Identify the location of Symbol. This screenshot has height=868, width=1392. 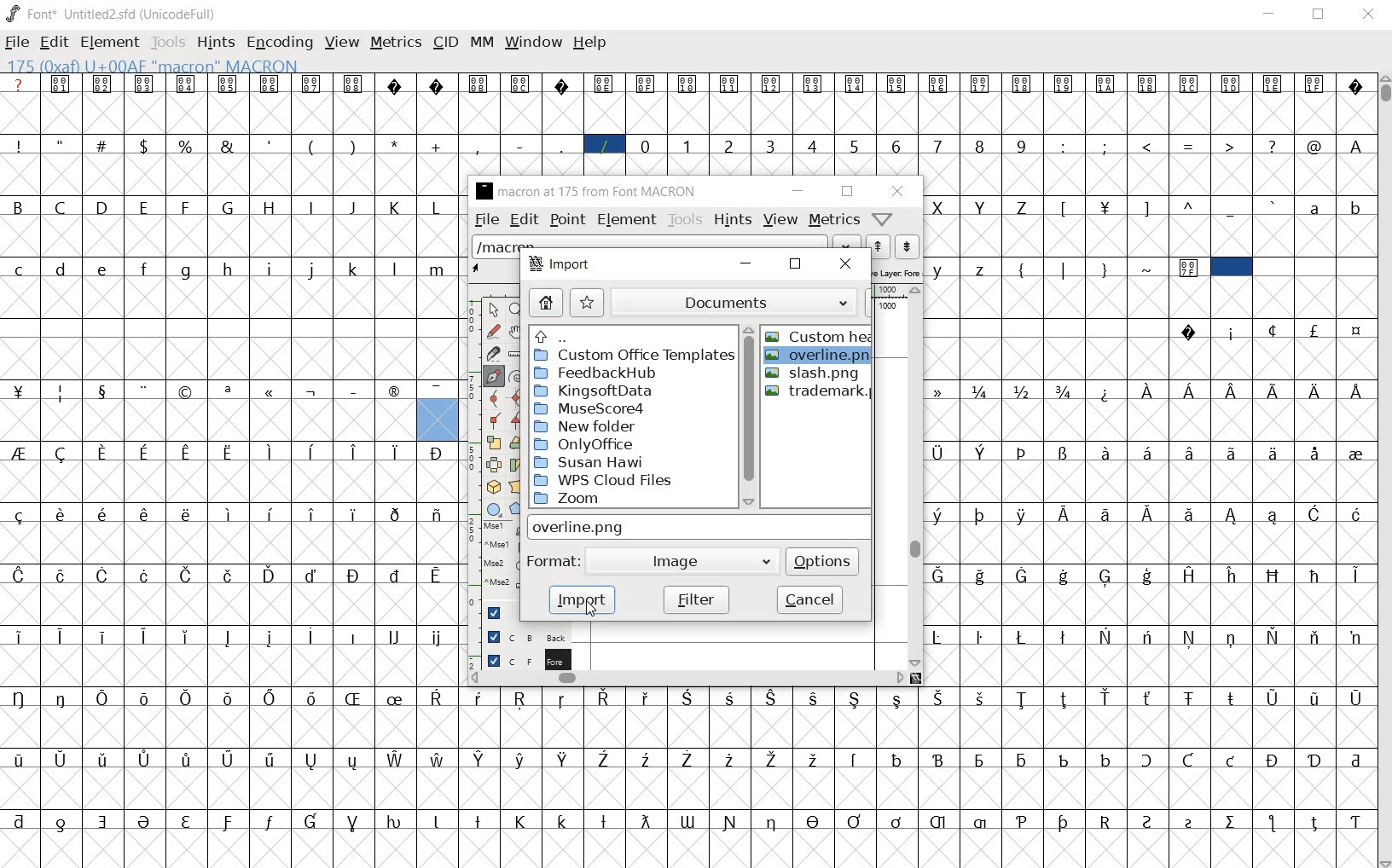
(441, 697).